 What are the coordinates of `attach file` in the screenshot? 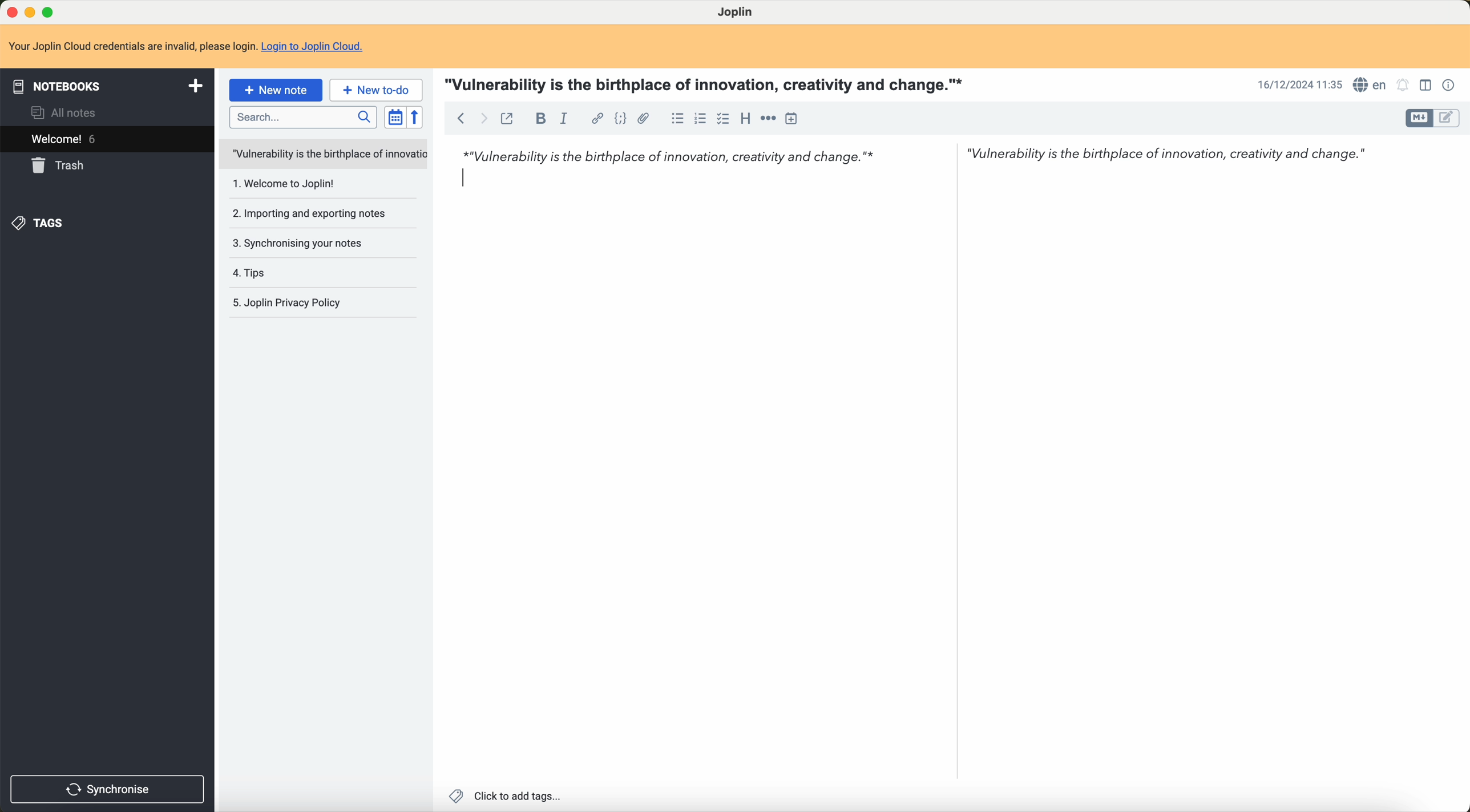 It's located at (644, 118).